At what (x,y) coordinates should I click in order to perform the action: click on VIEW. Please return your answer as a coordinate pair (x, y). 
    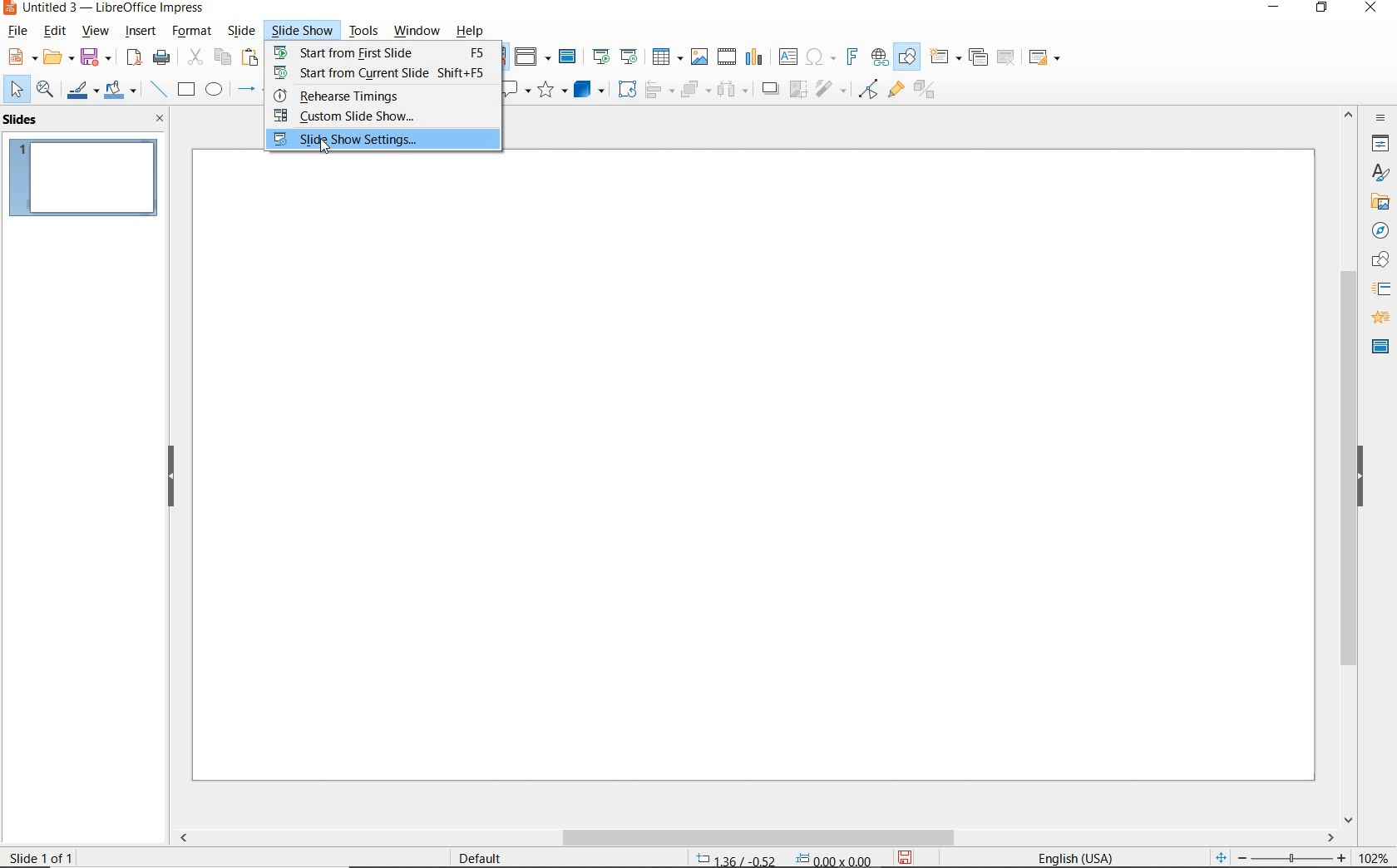
    Looking at the image, I should click on (96, 32).